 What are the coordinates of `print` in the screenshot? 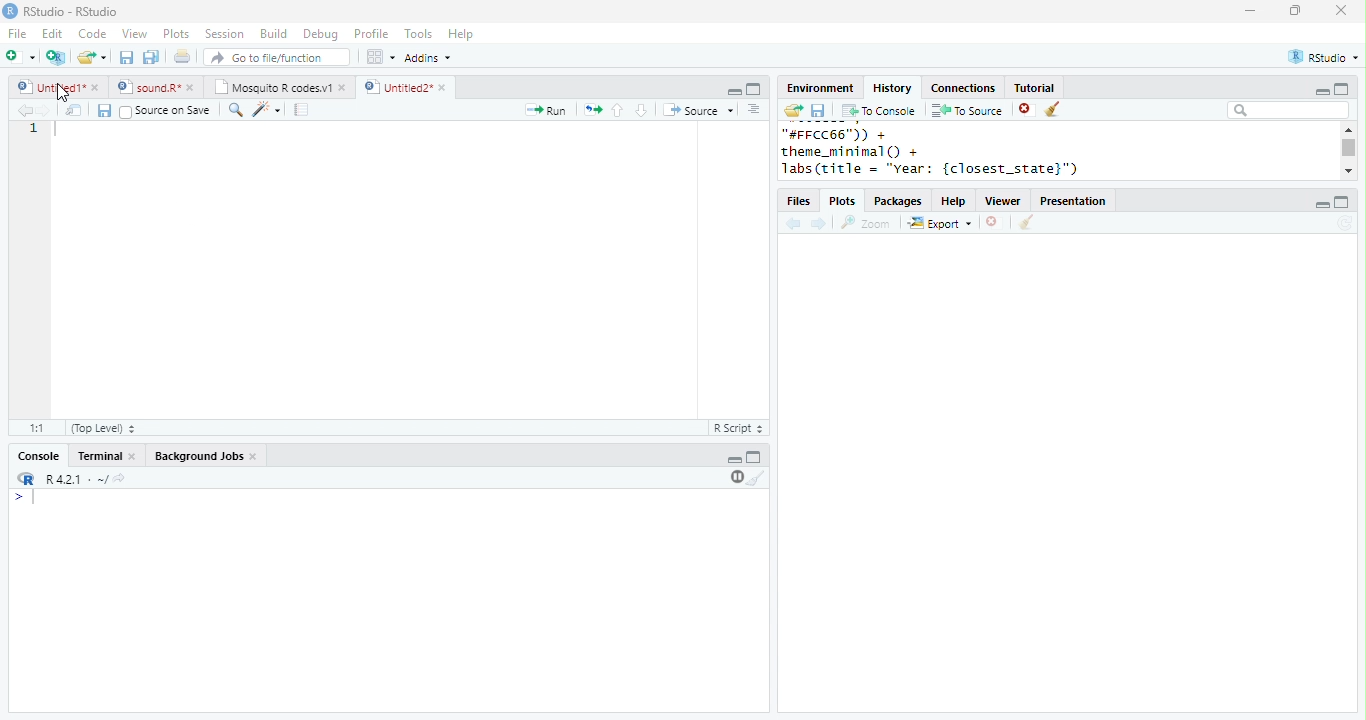 It's located at (181, 56).